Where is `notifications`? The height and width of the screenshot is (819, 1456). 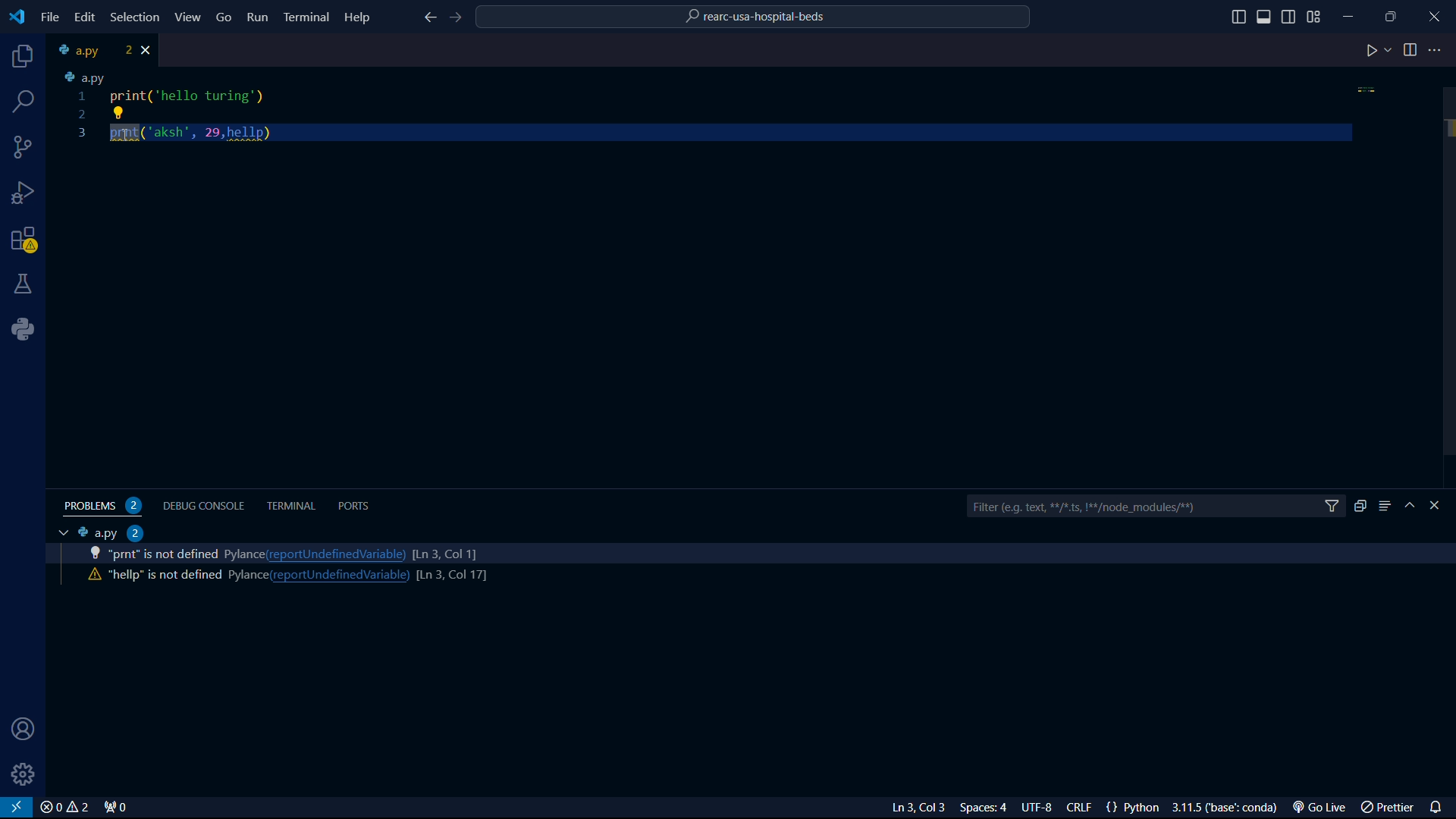 notifications is located at coordinates (1439, 805).